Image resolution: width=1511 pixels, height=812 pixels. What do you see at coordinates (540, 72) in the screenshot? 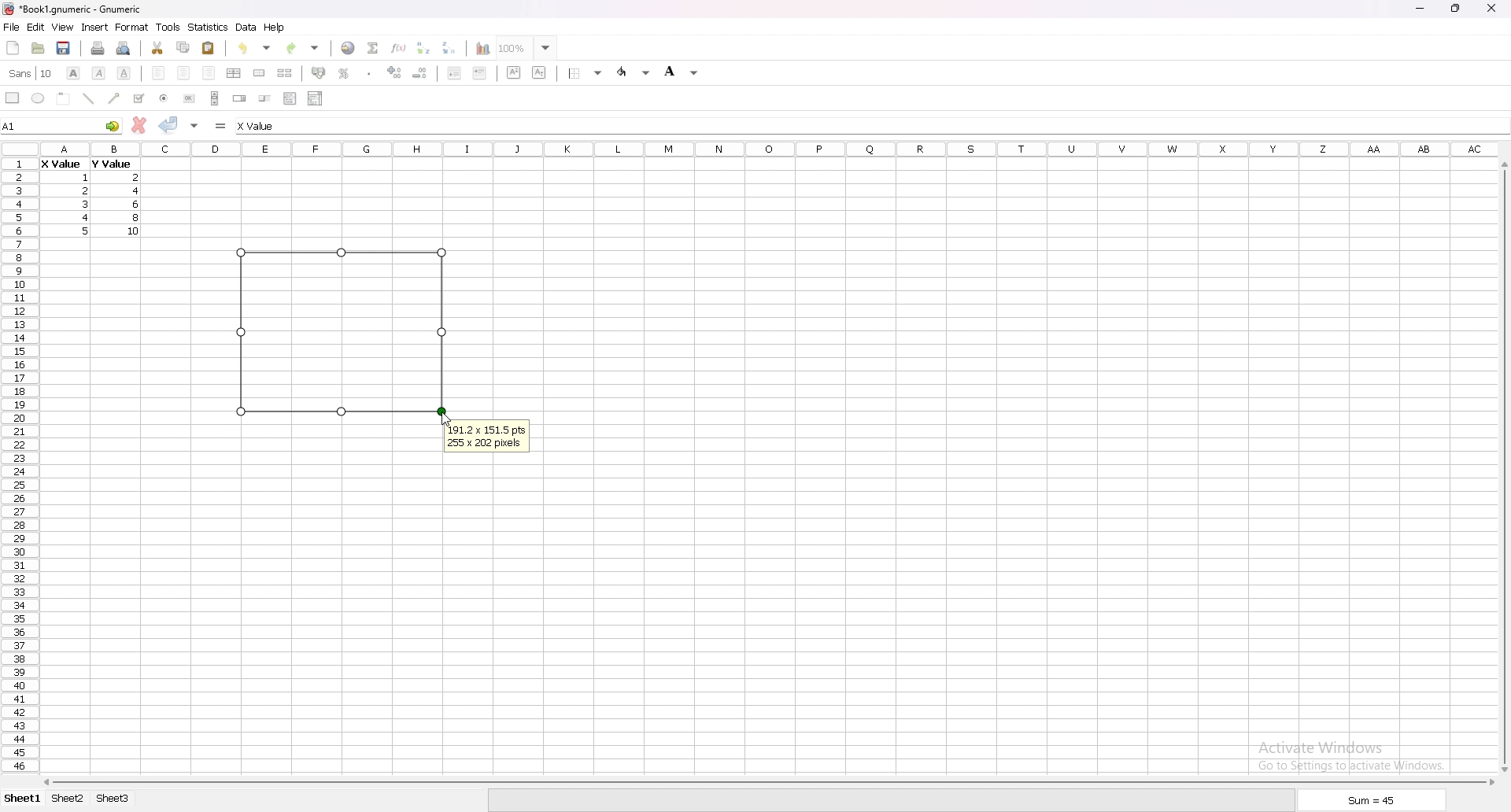
I see `subscript` at bounding box center [540, 72].